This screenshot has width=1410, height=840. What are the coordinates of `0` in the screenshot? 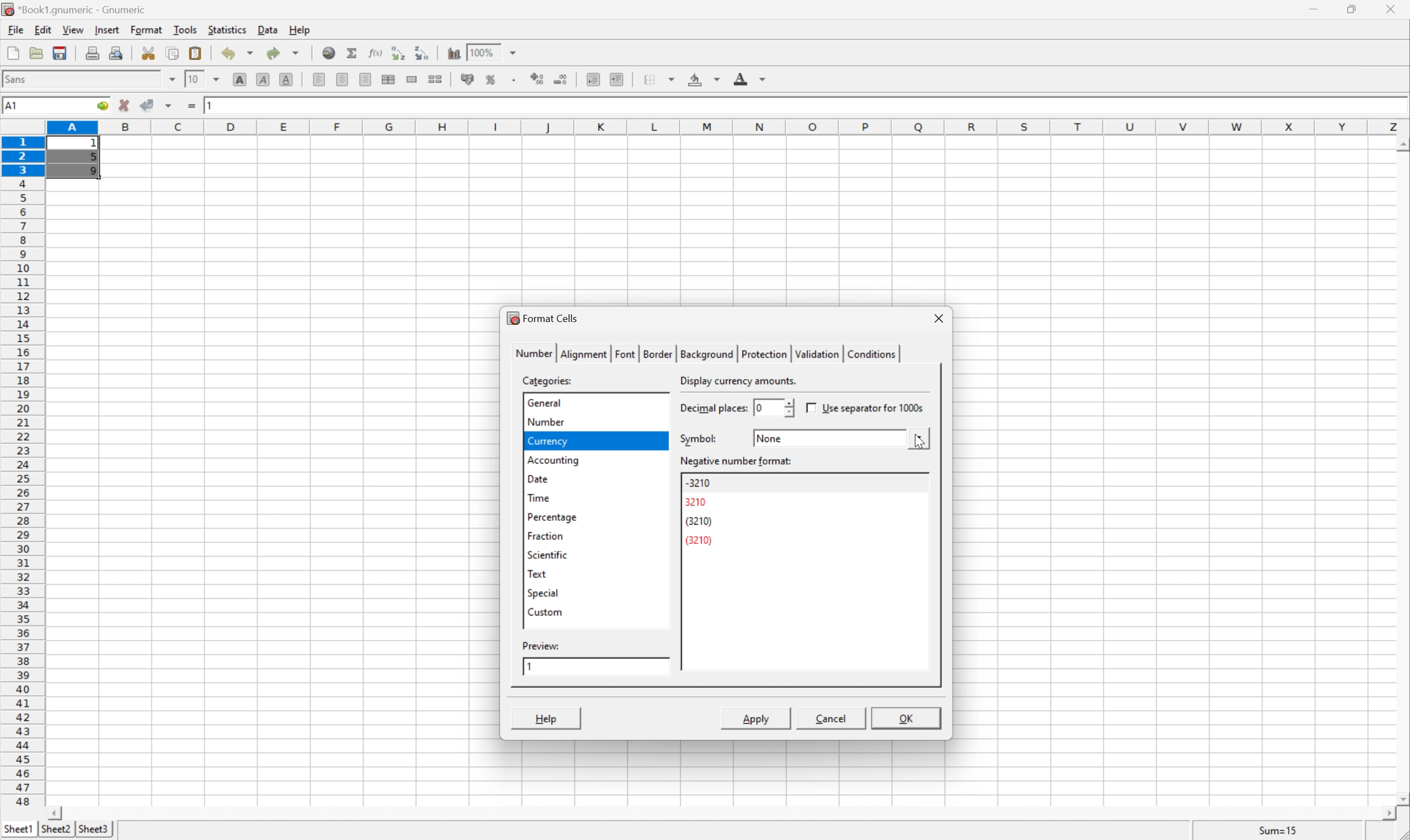 It's located at (756, 408).